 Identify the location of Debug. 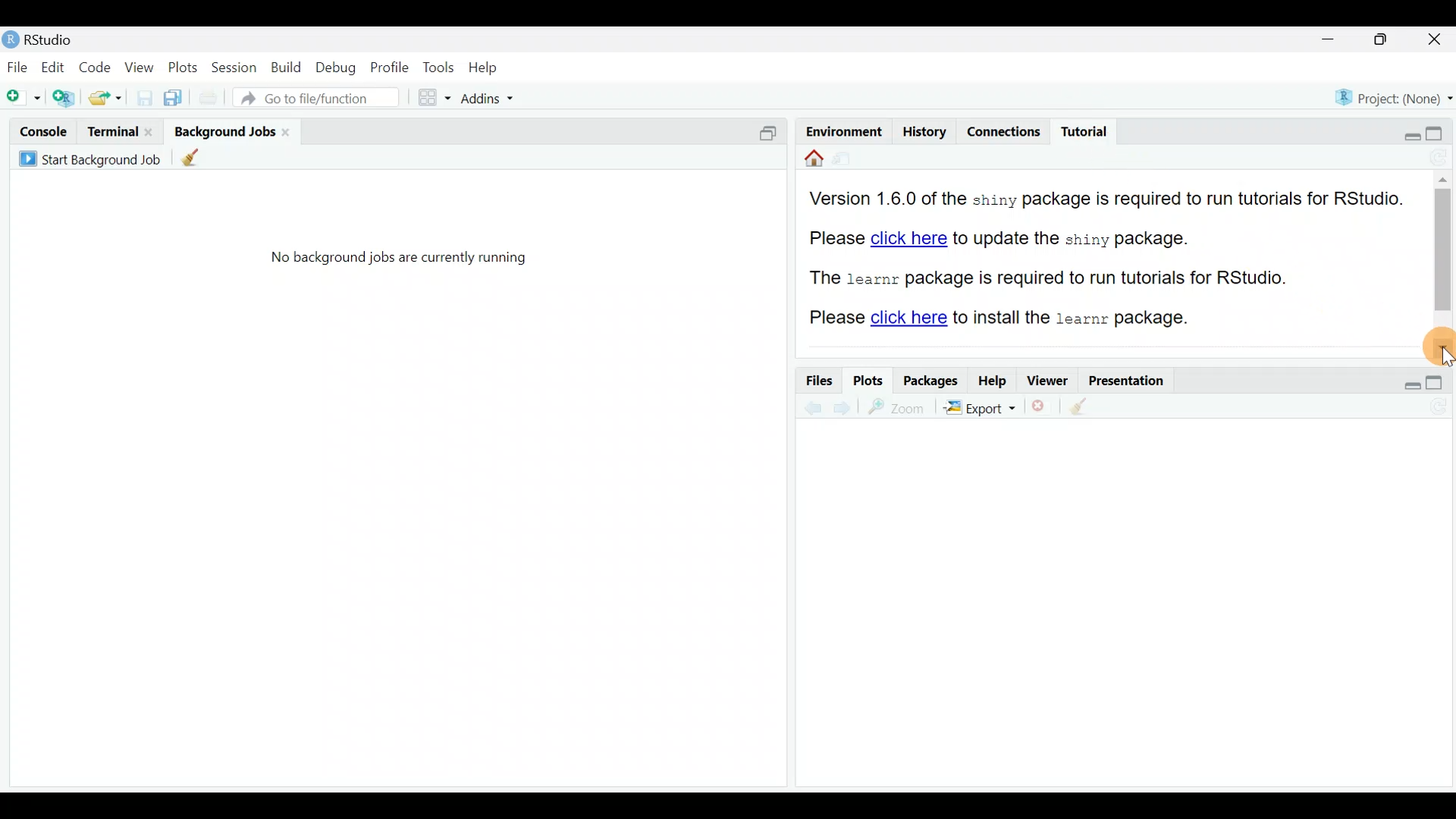
(338, 71).